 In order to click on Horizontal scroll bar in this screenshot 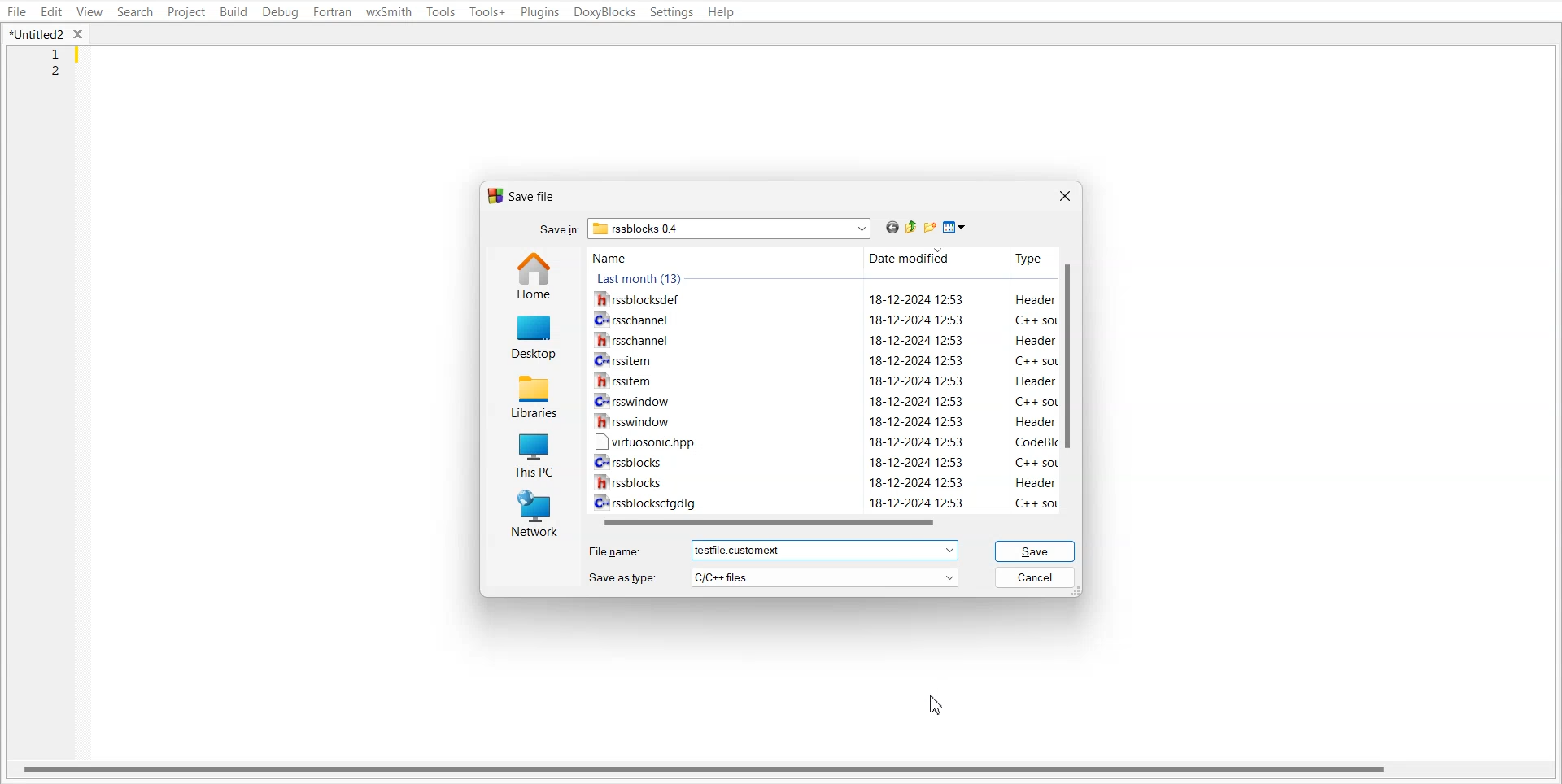, I will do `click(822, 522)`.